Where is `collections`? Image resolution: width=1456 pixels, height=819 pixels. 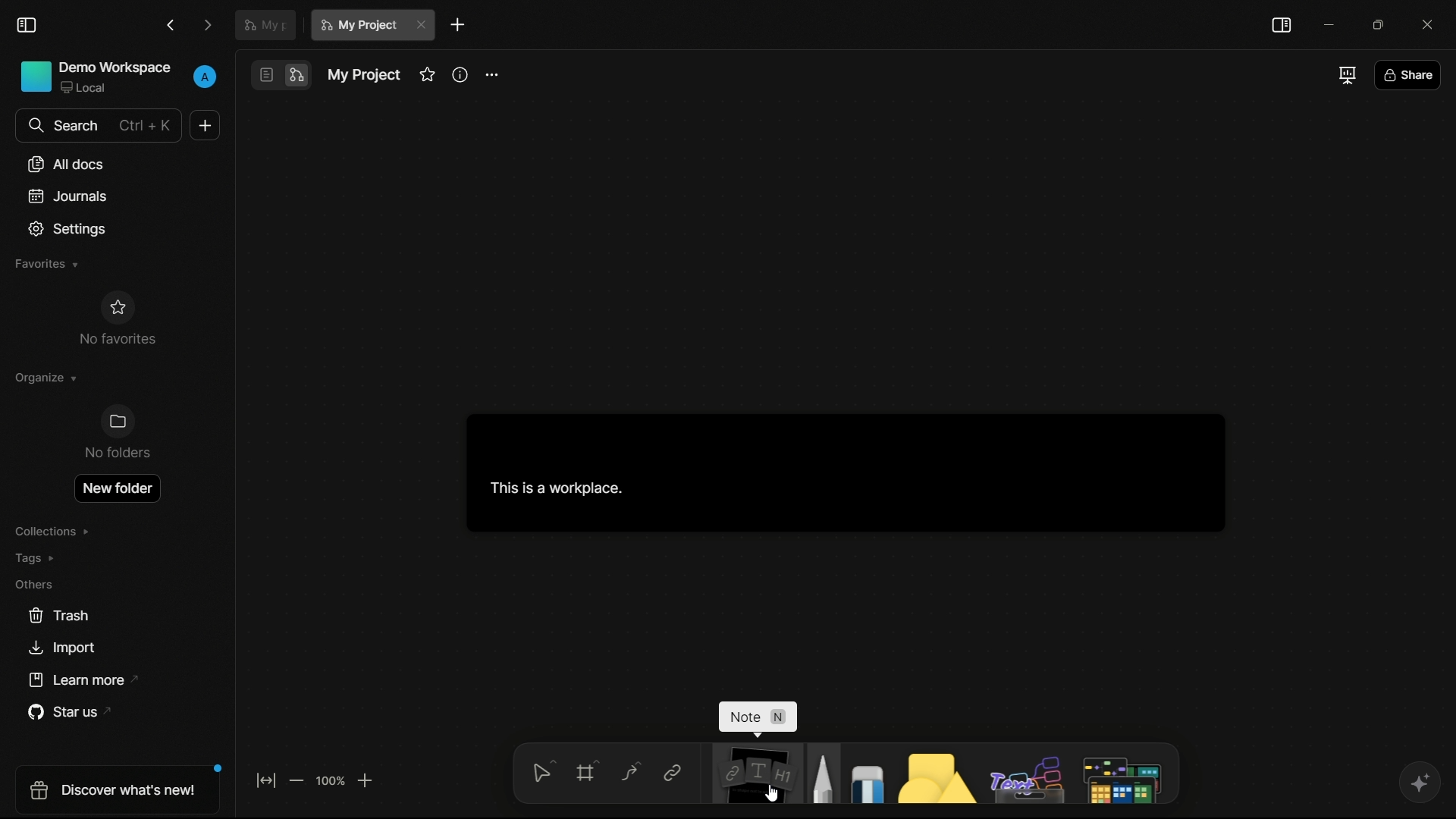 collections is located at coordinates (58, 530).